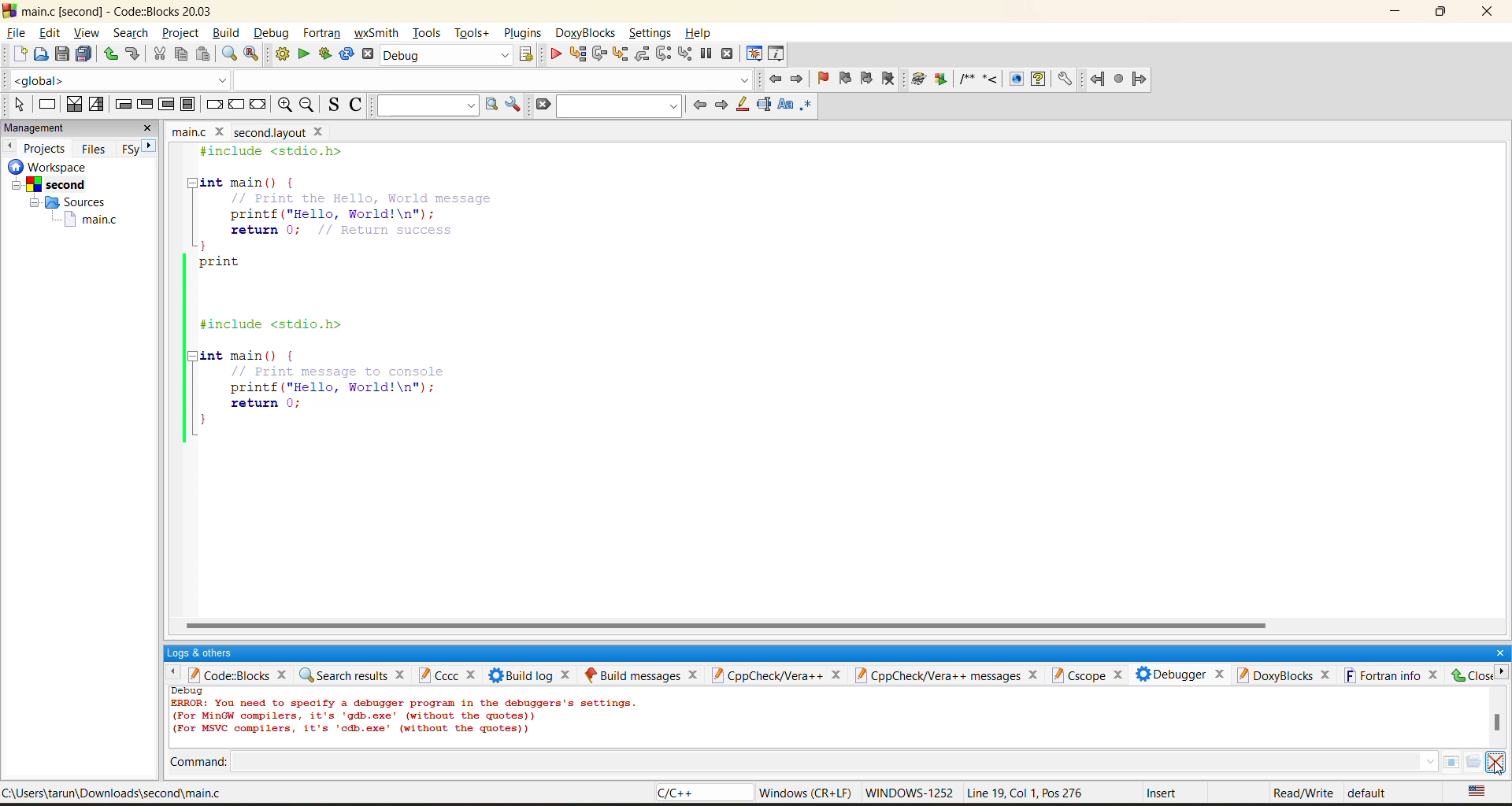 Image resolution: width=1512 pixels, height=806 pixels. Describe the element at coordinates (211, 105) in the screenshot. I see `break instruction` at that location.